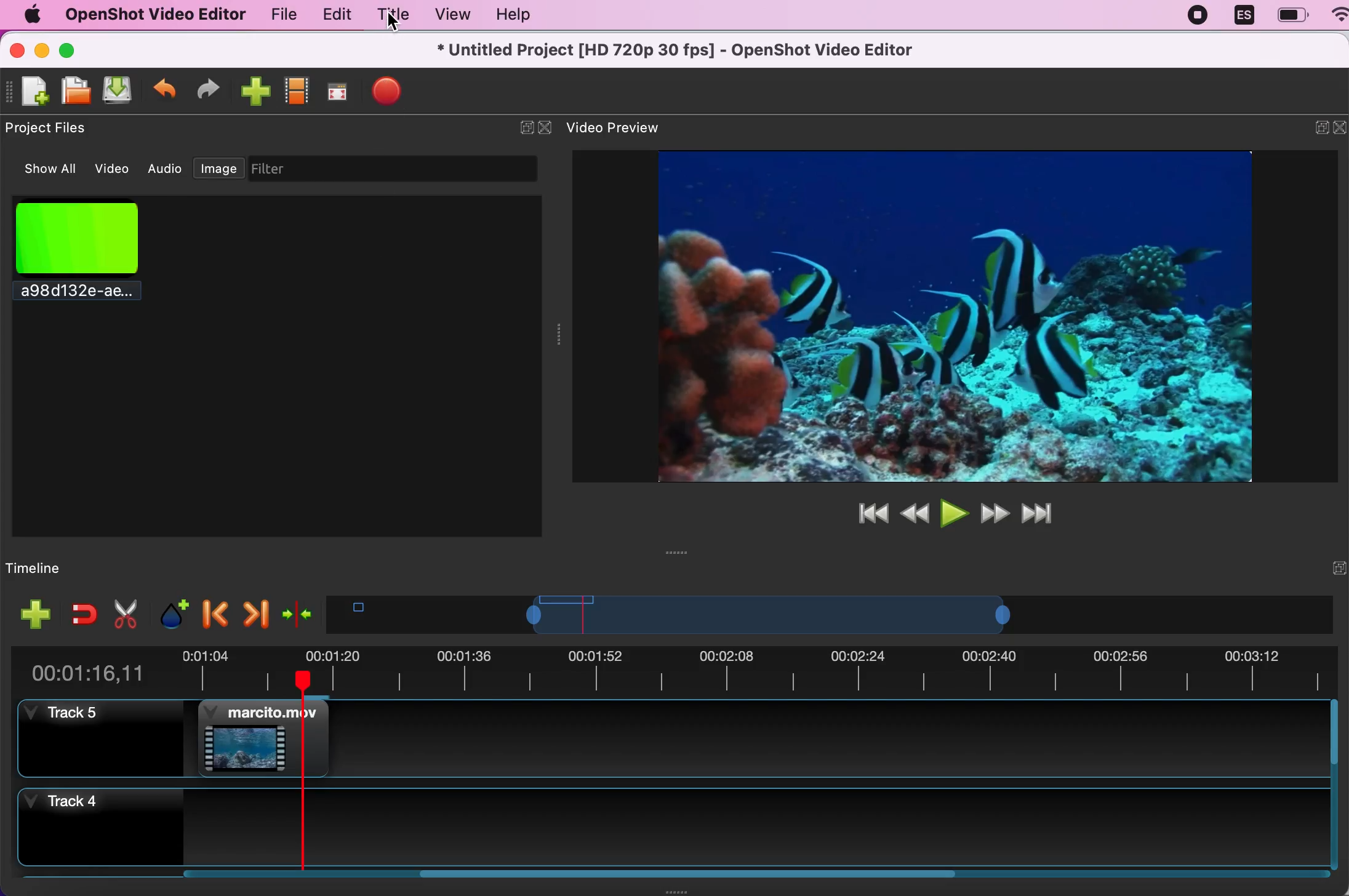 The image size is (1349, 896). I want to click on openshot video editor, so click(154, 15).